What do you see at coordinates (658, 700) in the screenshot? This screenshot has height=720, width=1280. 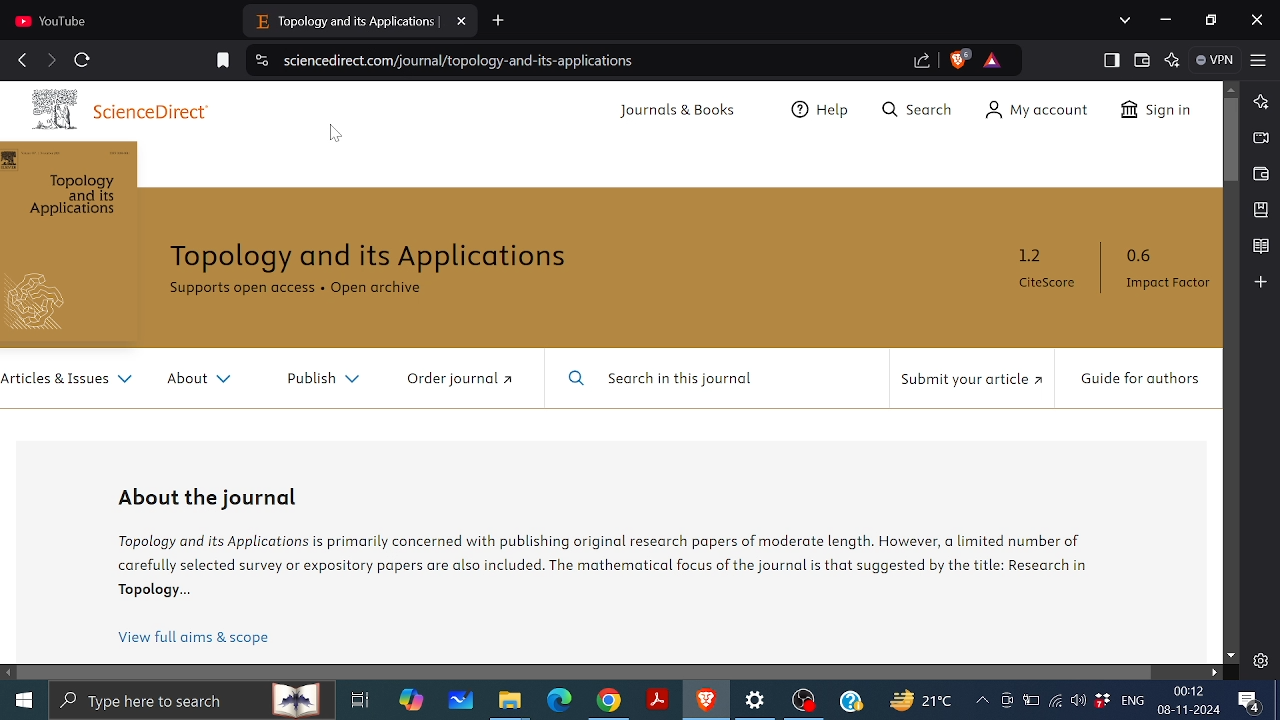 I see `Adobe reader` at bounding box center [658, 700].